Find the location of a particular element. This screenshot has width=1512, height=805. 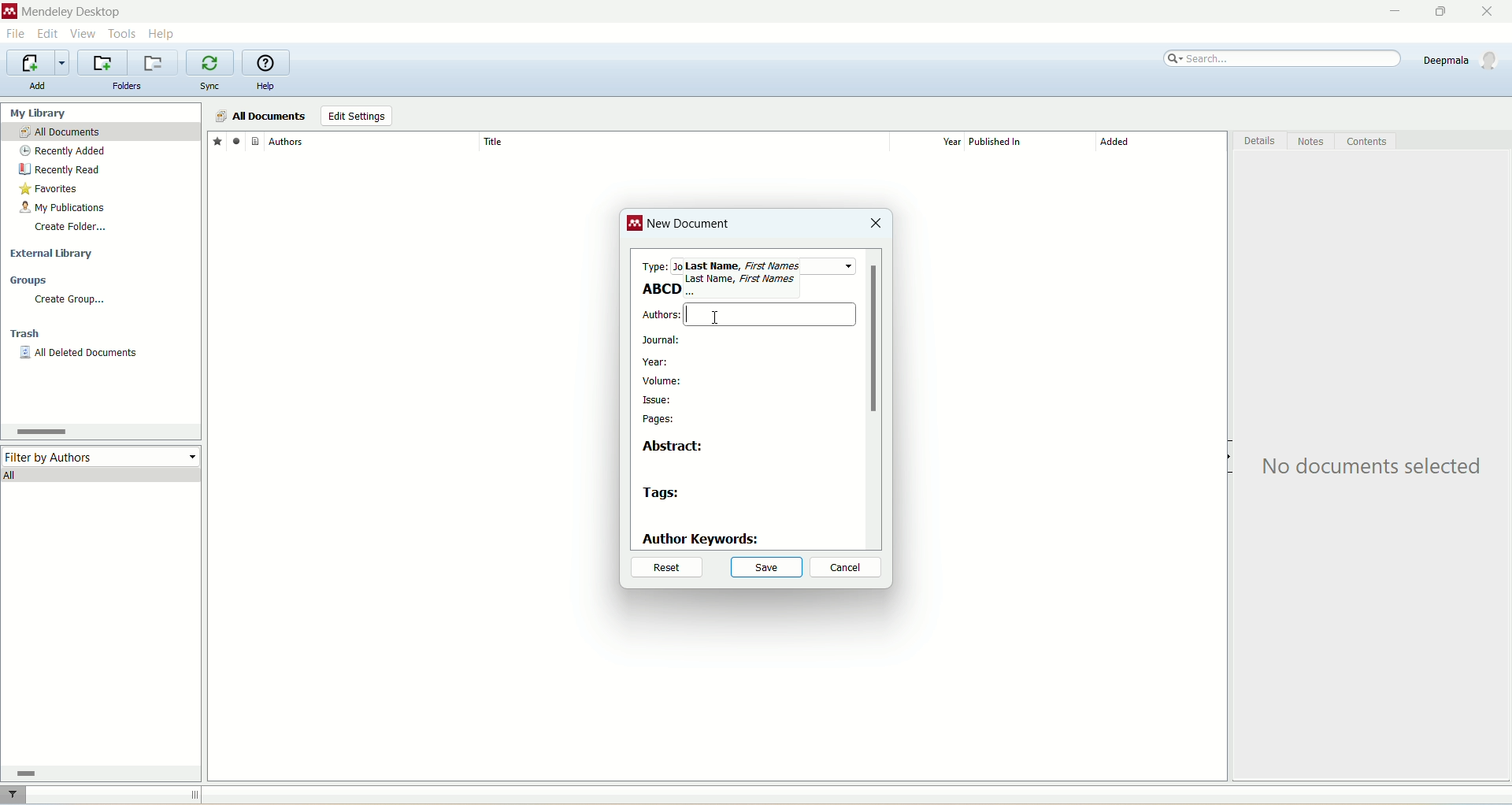

authors is located at coordinates (660, 315).